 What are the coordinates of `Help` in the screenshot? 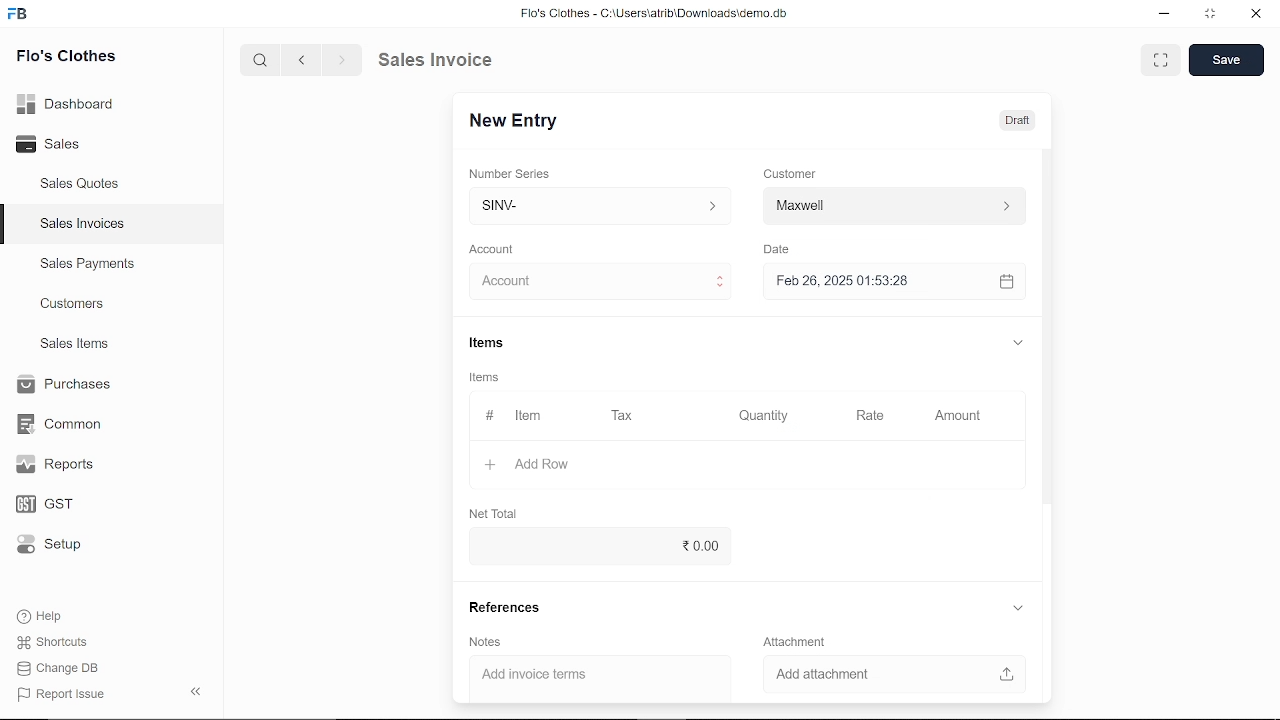 It's located at (53, 616).